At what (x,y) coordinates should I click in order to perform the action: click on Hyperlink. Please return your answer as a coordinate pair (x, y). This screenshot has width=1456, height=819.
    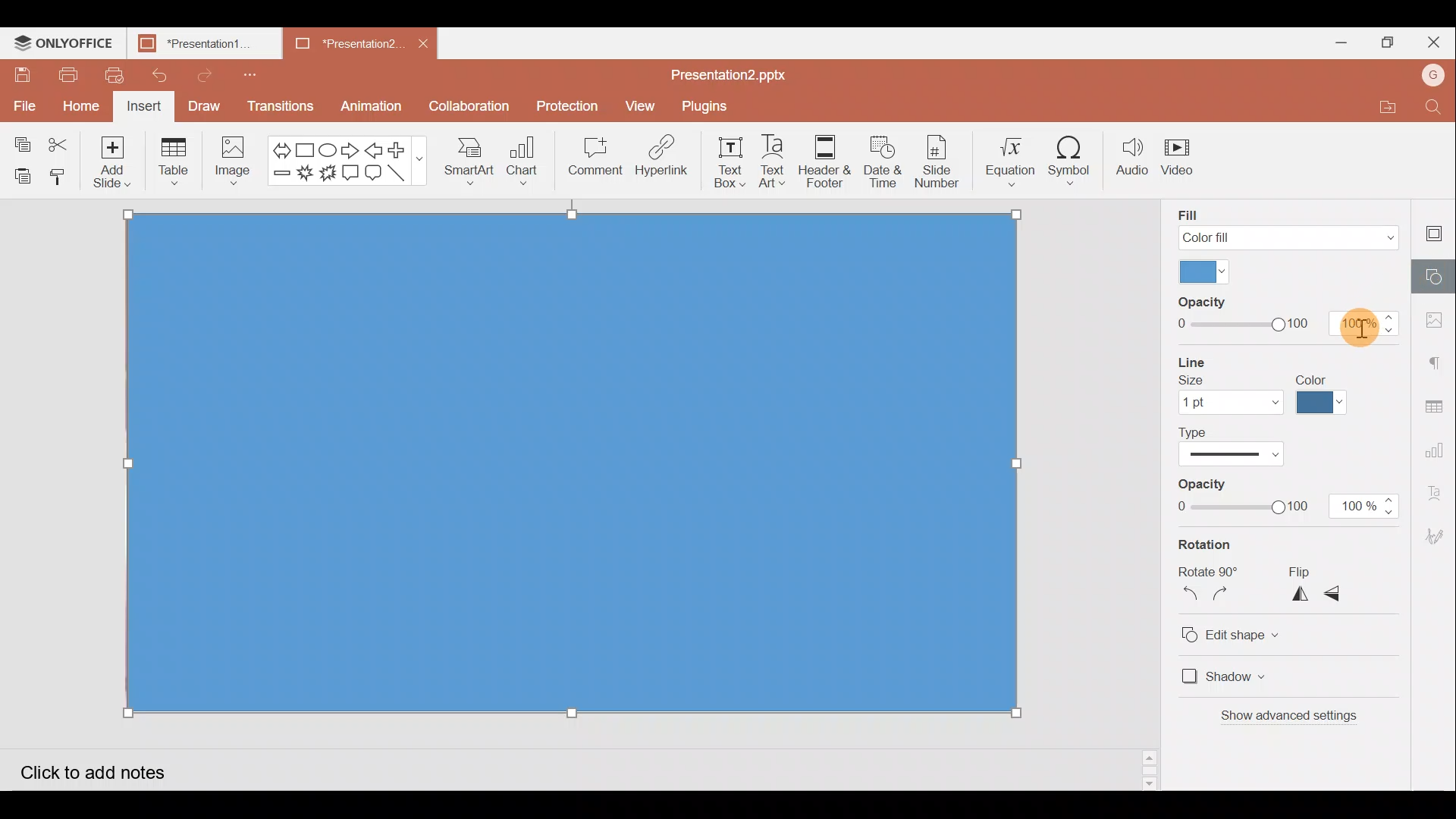
    Looking at the image, I should click on (657, 158).